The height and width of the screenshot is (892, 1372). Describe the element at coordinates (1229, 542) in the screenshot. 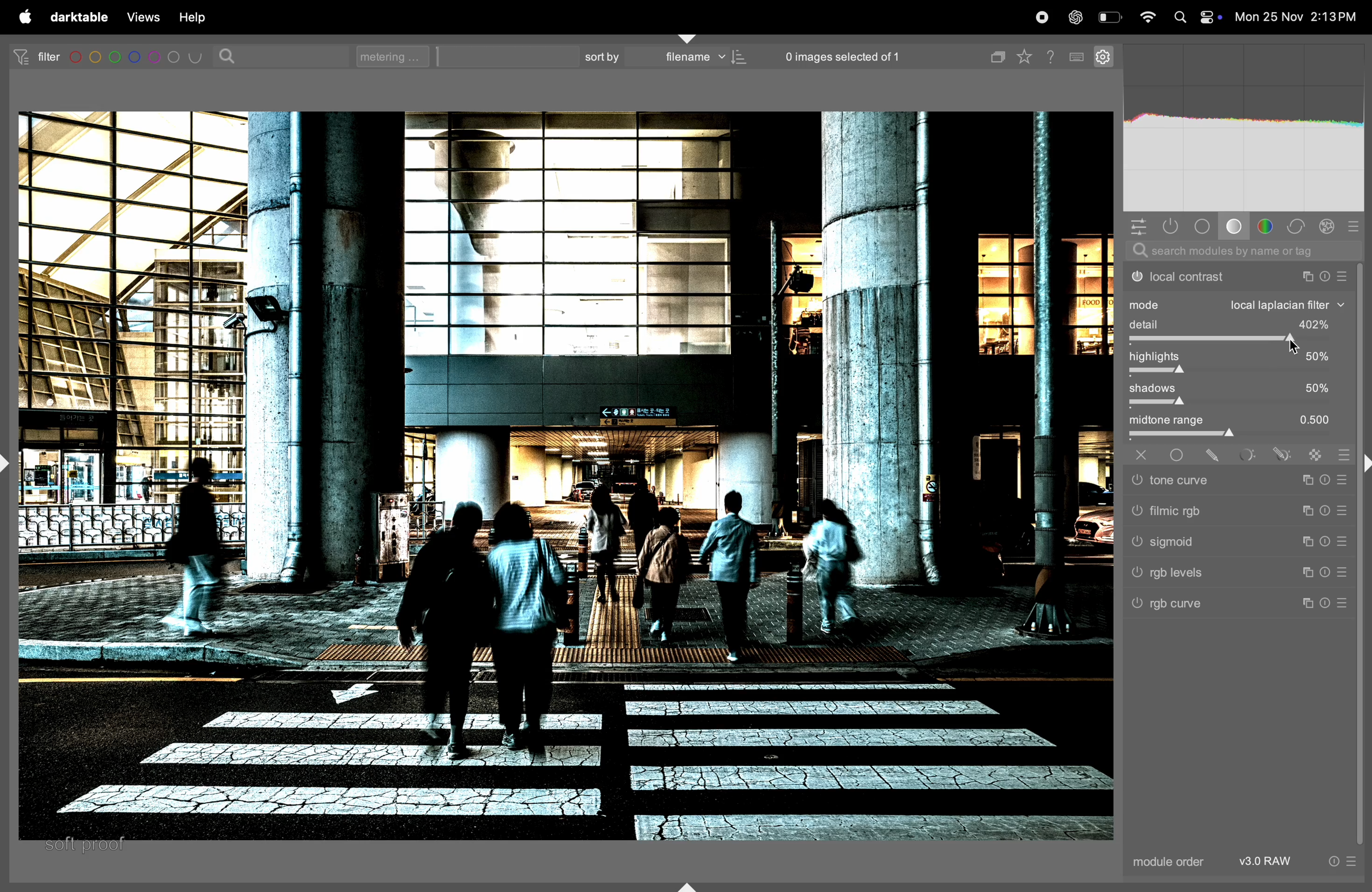

I see `sigmoid` at that location.